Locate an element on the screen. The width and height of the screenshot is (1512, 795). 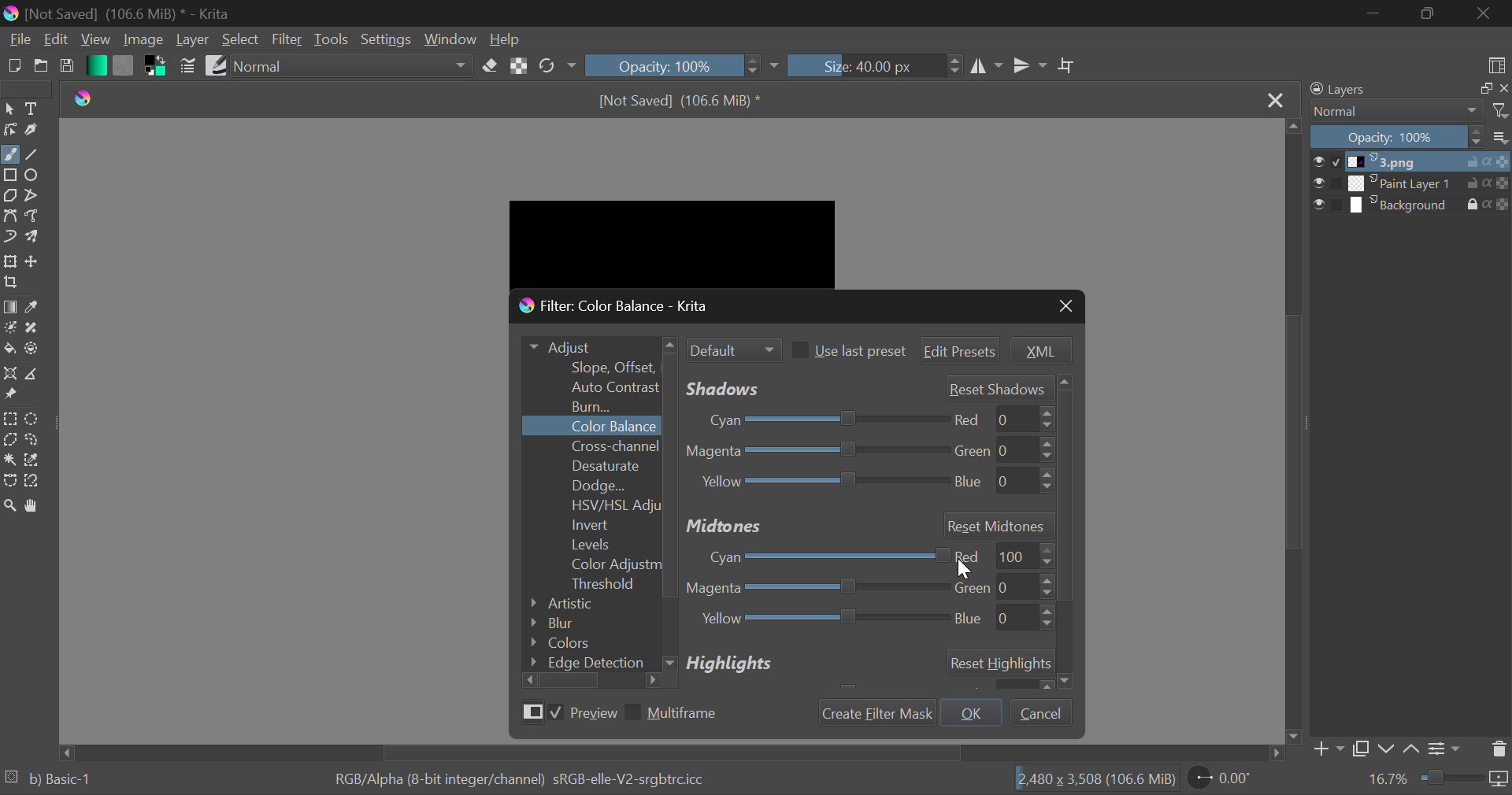
Pan is located at coordinates (38, 505).